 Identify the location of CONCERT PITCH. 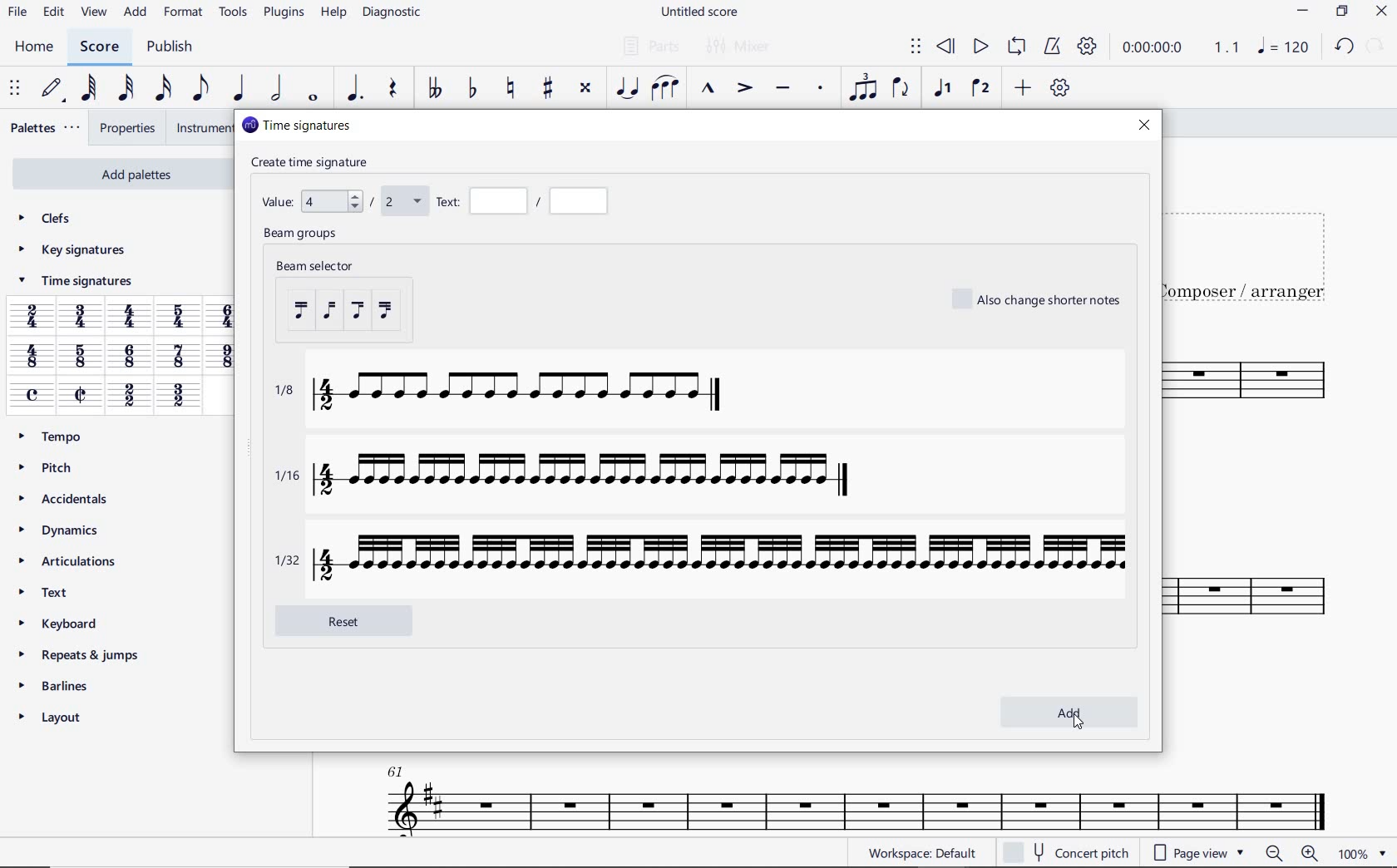
(1065, 851).